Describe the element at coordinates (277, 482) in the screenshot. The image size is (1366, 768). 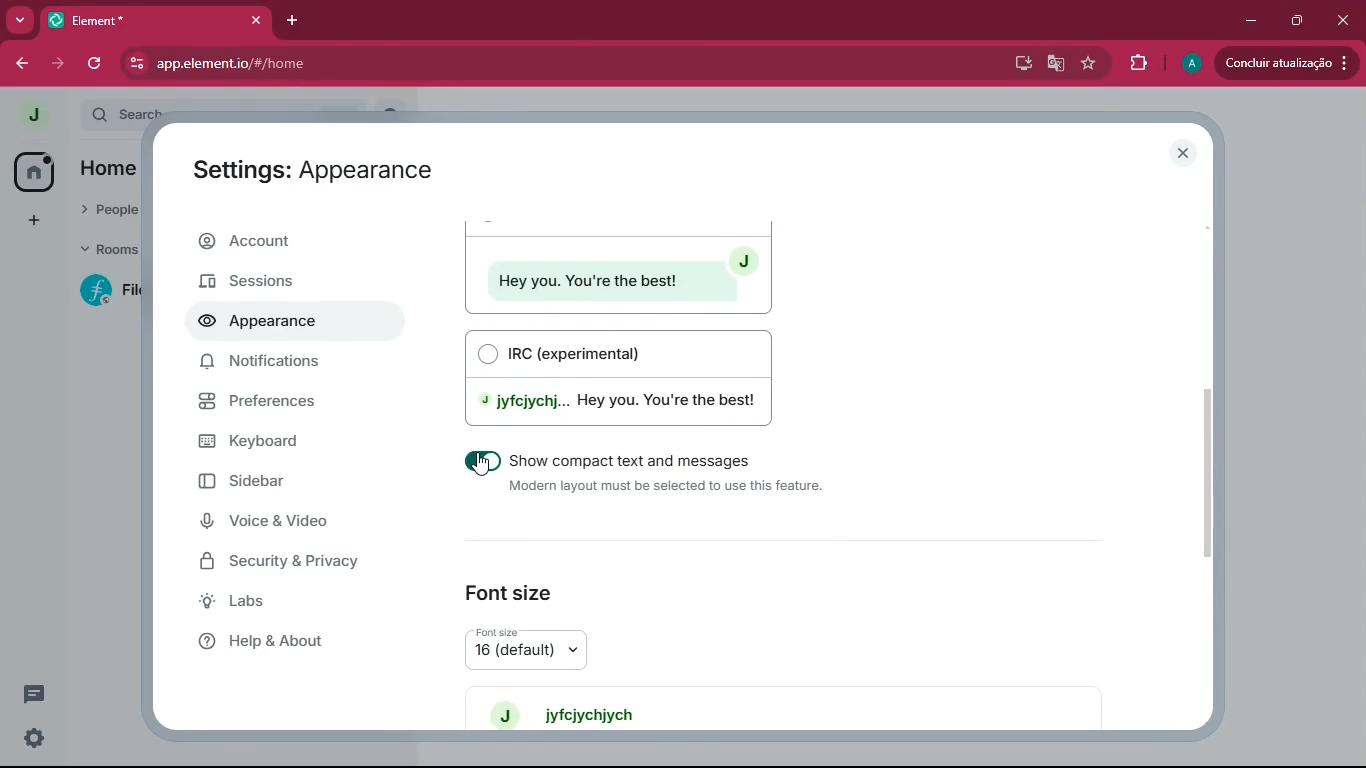
I see `sidebar` at that location.